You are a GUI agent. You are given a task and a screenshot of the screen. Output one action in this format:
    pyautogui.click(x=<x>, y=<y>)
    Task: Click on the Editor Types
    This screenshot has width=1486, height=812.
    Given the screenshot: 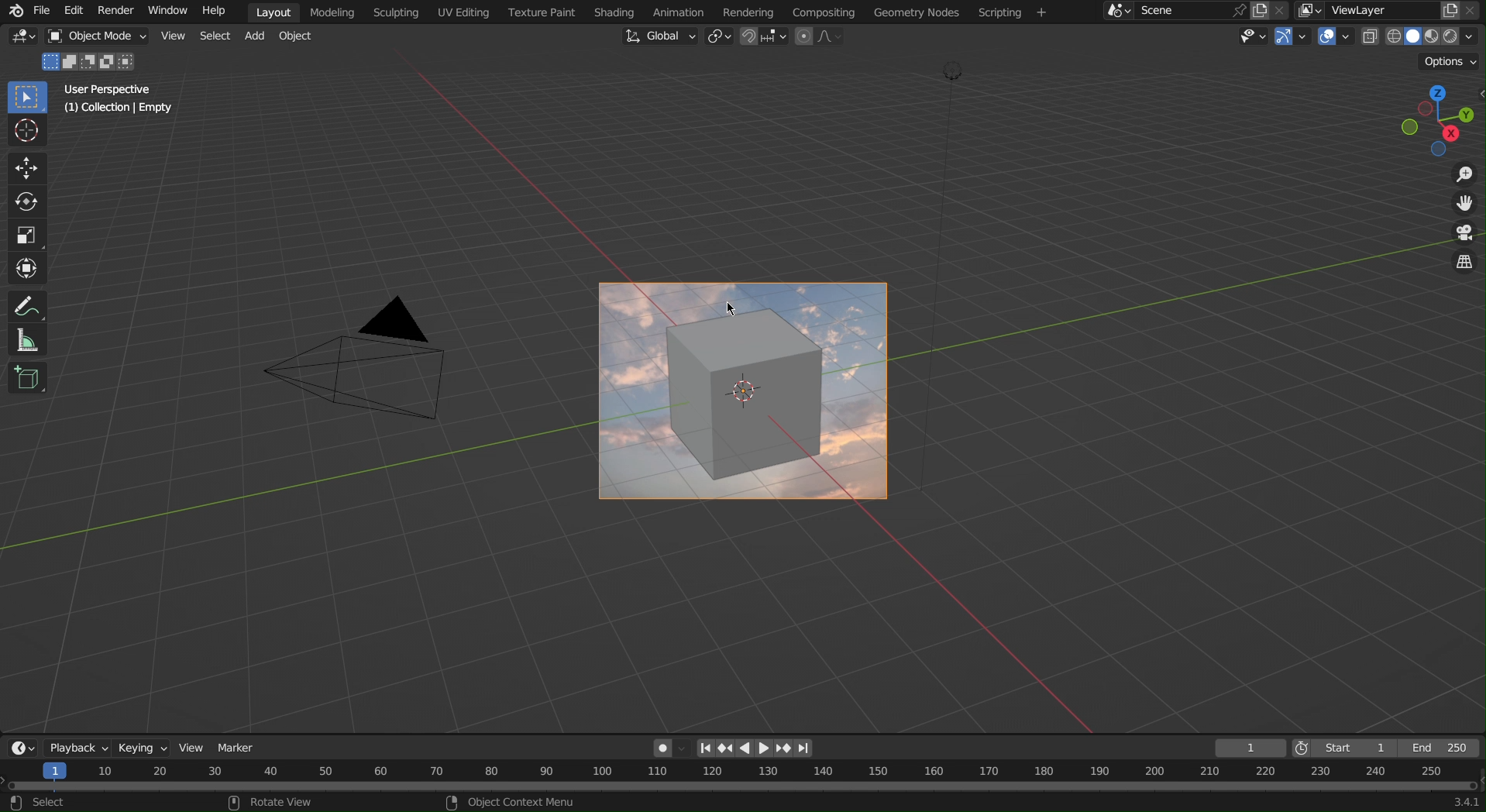 What is the action you would take?
    pyautogui.click(x=19, y=747)
    